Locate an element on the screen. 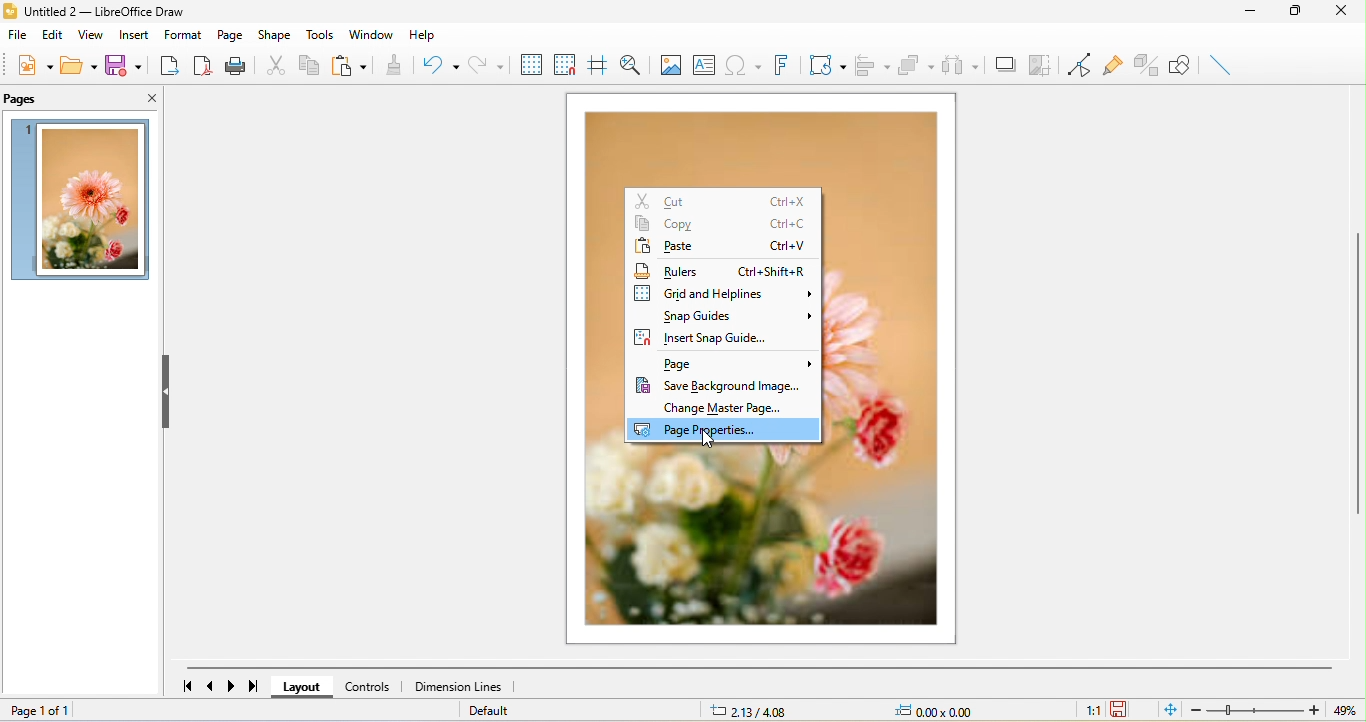 Image resolution: width=1366 pixels, height=722 pixels. fit to the current window is located at coordinates (1173, 710).